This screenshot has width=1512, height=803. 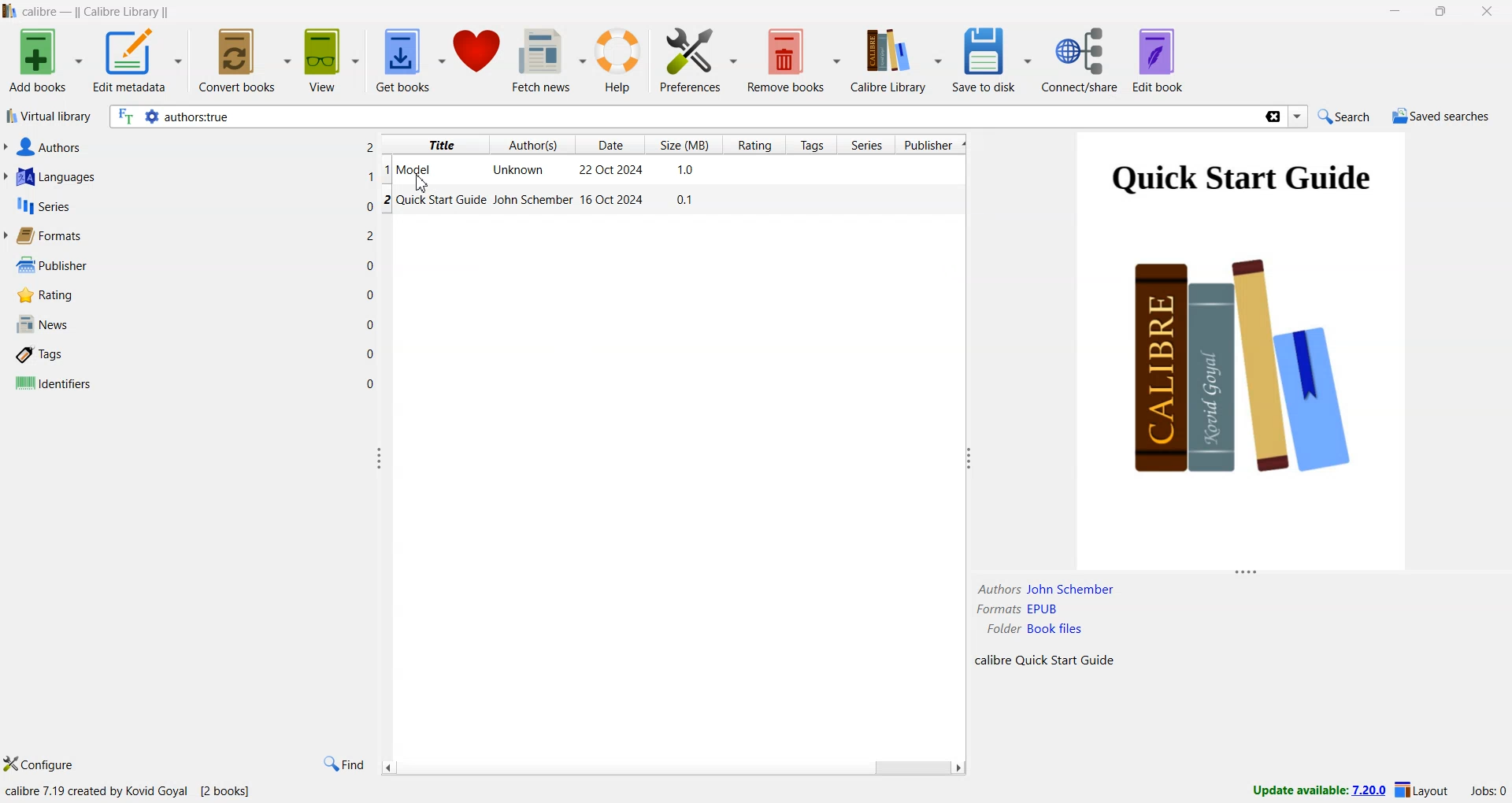 I want to click on cursor, so click(x=424, y=186).